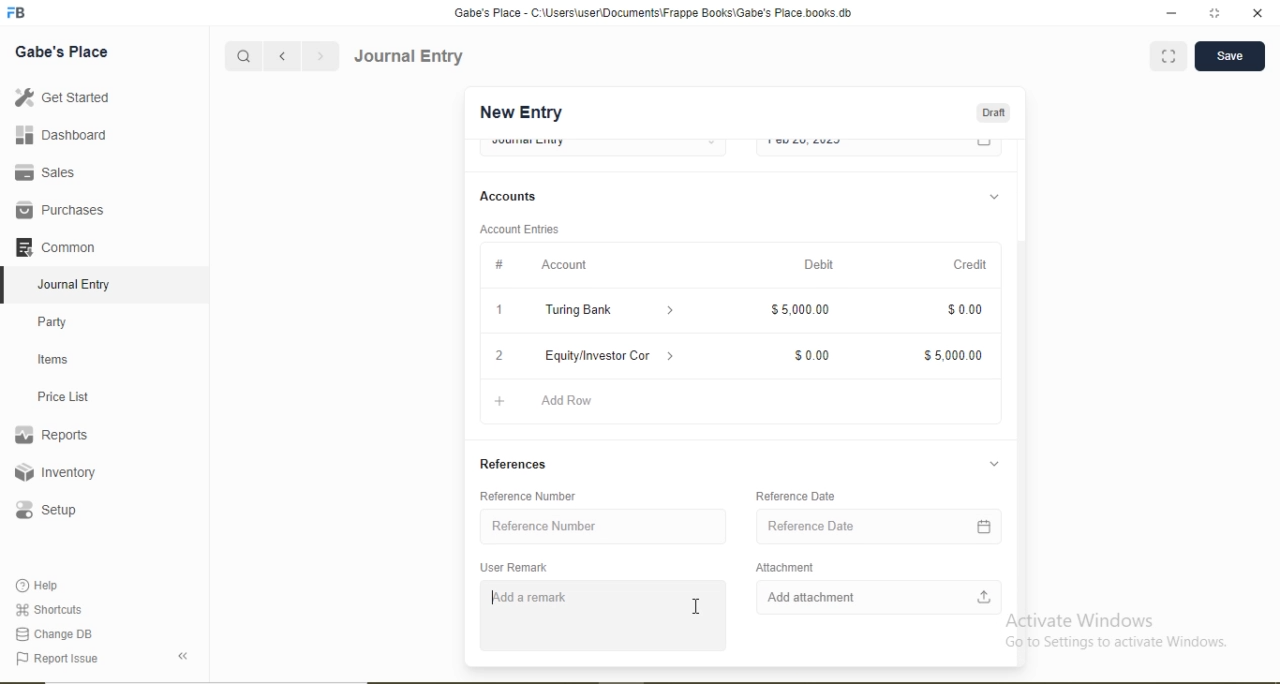  What do you see at coordinates (519, 229) in the screenshot?
I see `Account Entries` at bounding box center [519, 229].